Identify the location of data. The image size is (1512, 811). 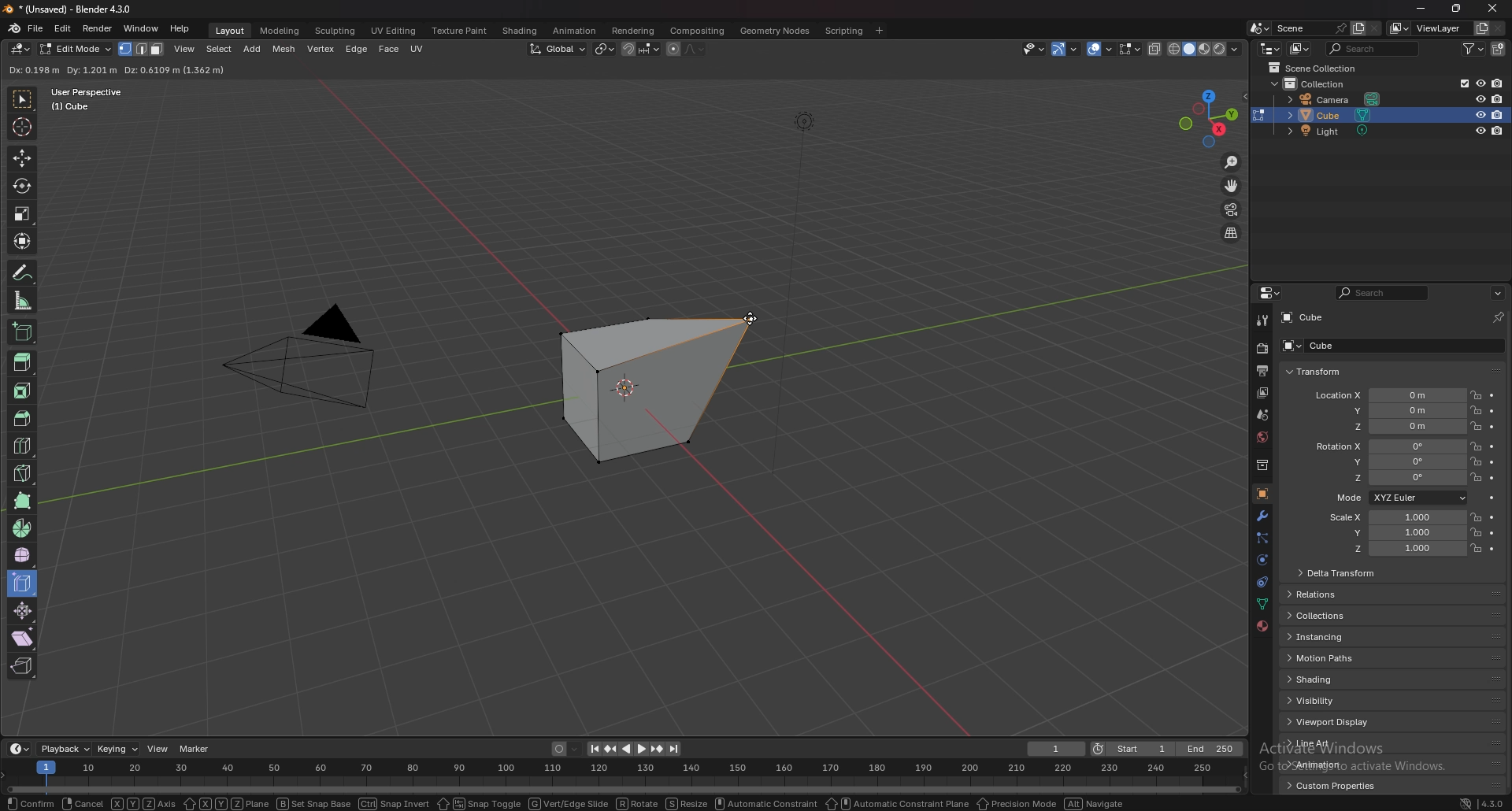
(1262, 604).